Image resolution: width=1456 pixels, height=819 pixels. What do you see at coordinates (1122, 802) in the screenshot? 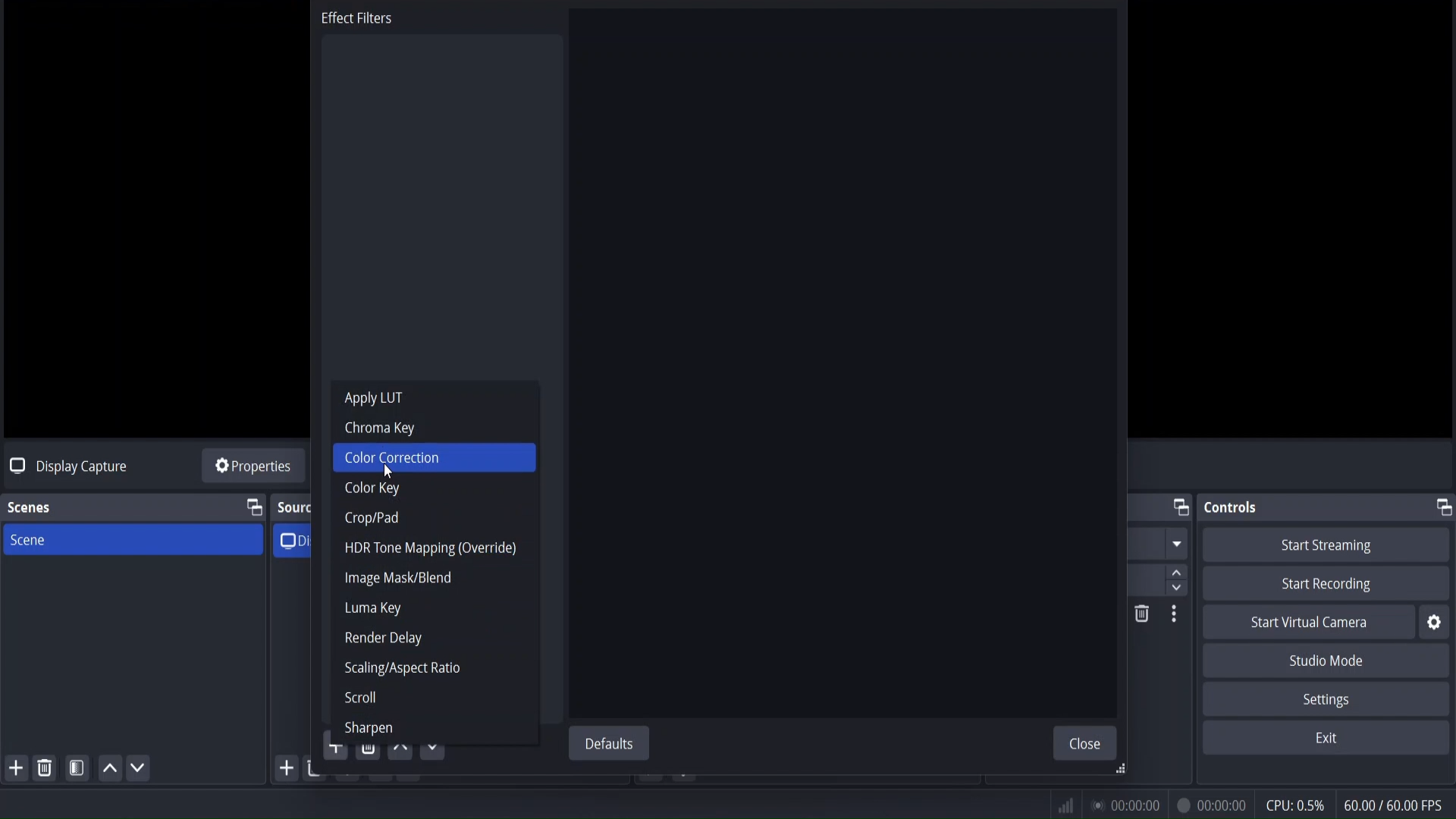
I see `status` at bounding box center [1122, 802].